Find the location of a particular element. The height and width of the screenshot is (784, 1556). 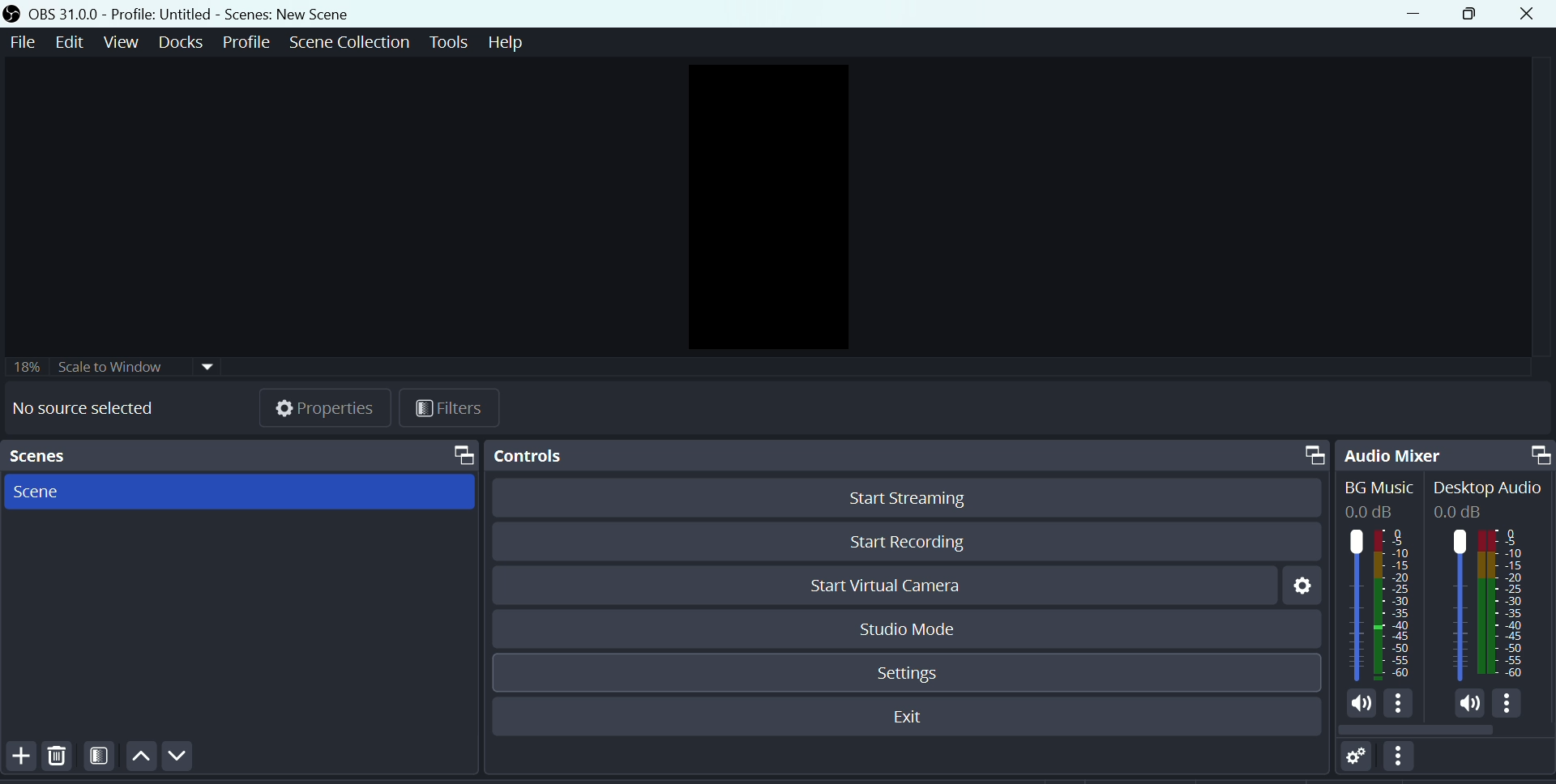

scenes is located at coordinates (240, 455).